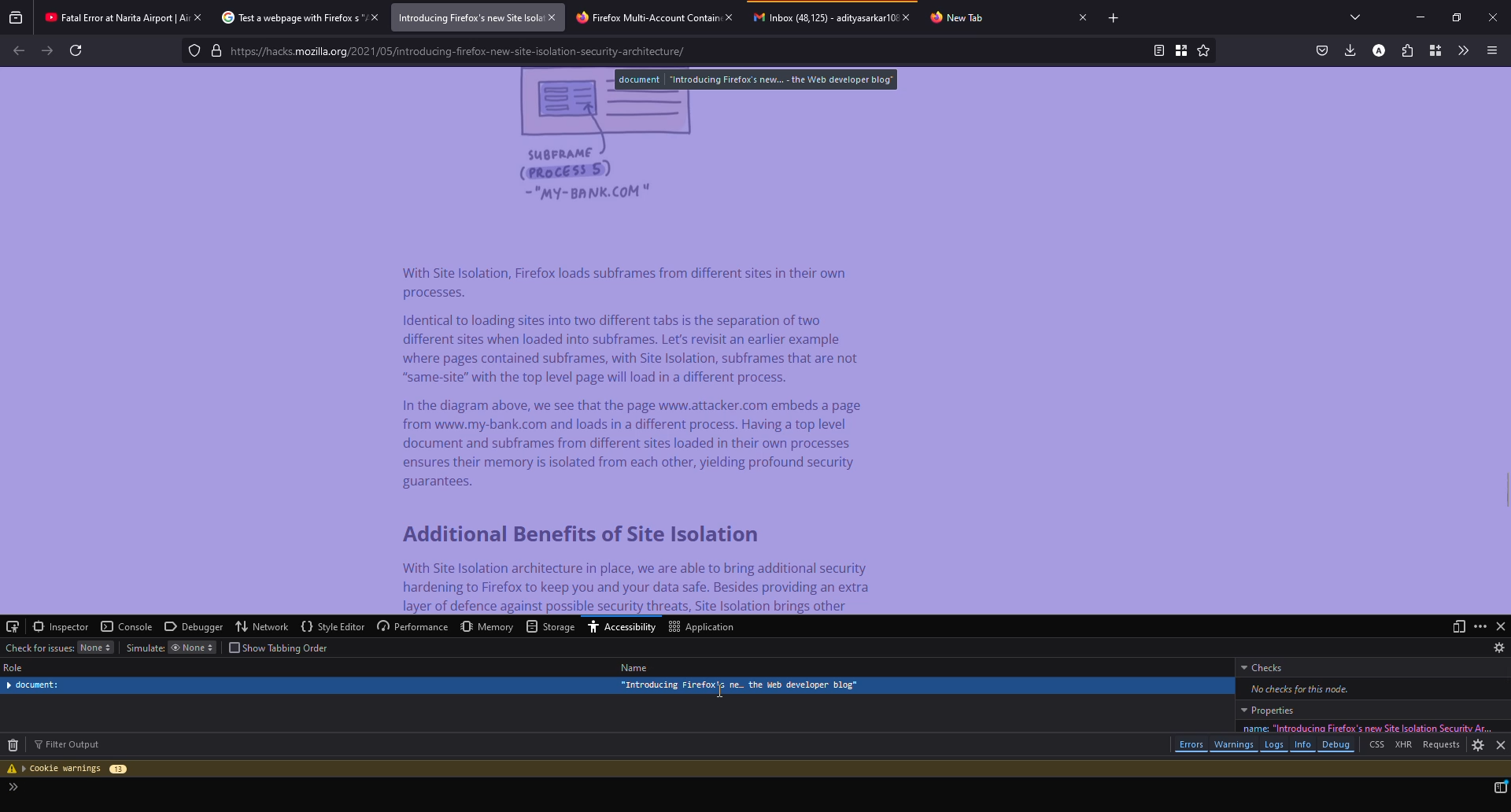 The image size is (1511, 812). Describe the element at coordinates (959, 18) in the screenshot. I see `tab` at that location.